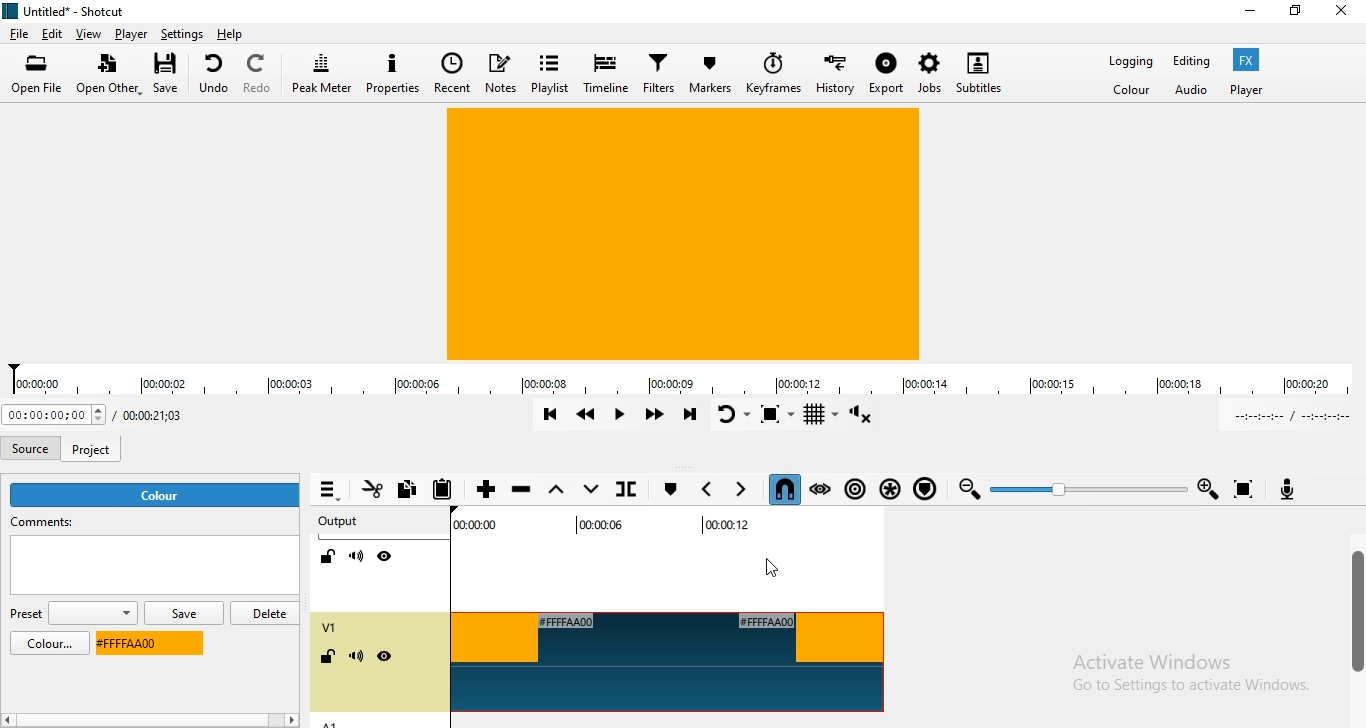 The height and width of the screenshot is (728, 1366). What do you see at coordinates (822, 491) in the screenshot?
I see `Scrub while dragging` at bounding box center [822, 491].